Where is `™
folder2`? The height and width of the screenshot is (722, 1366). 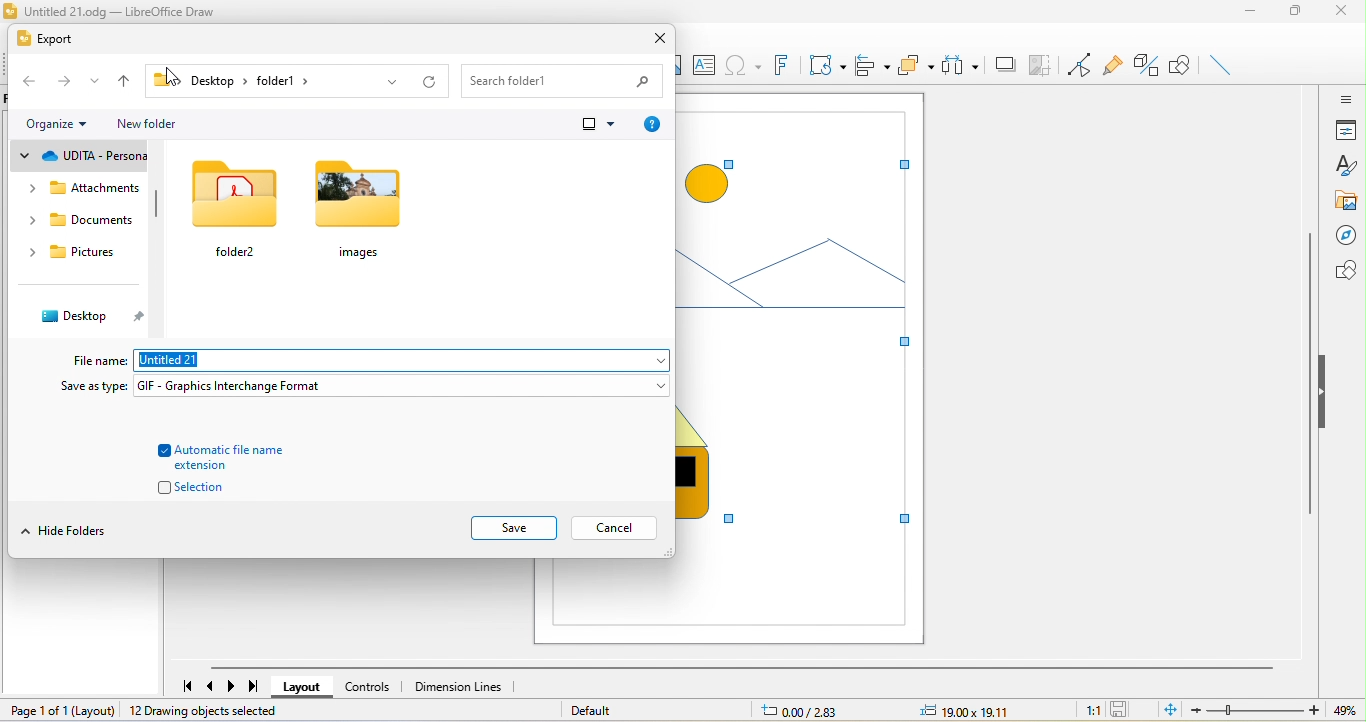 ™
folder2 is located at coordinates (234, 210).